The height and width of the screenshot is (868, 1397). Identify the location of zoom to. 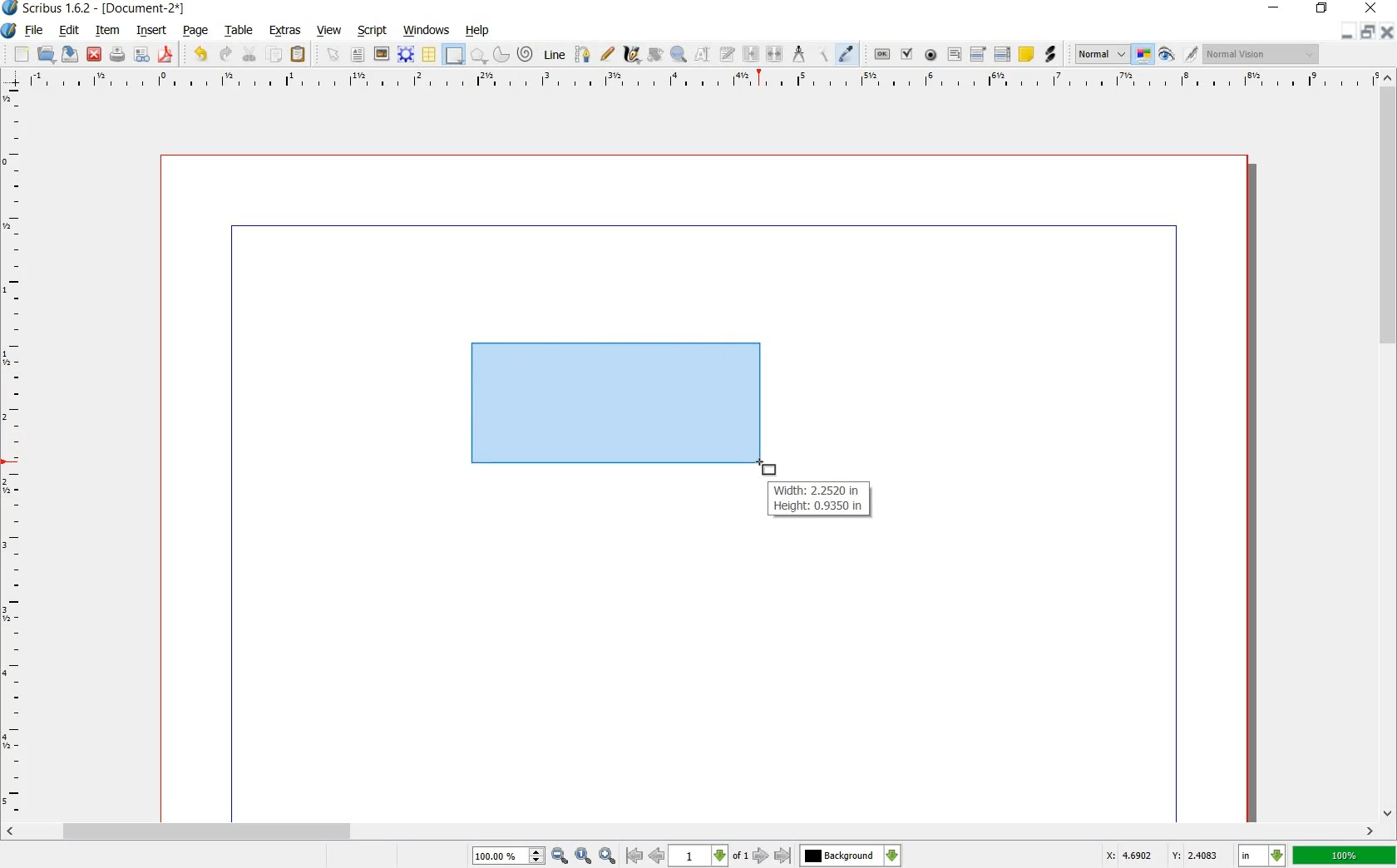
(583, 856).